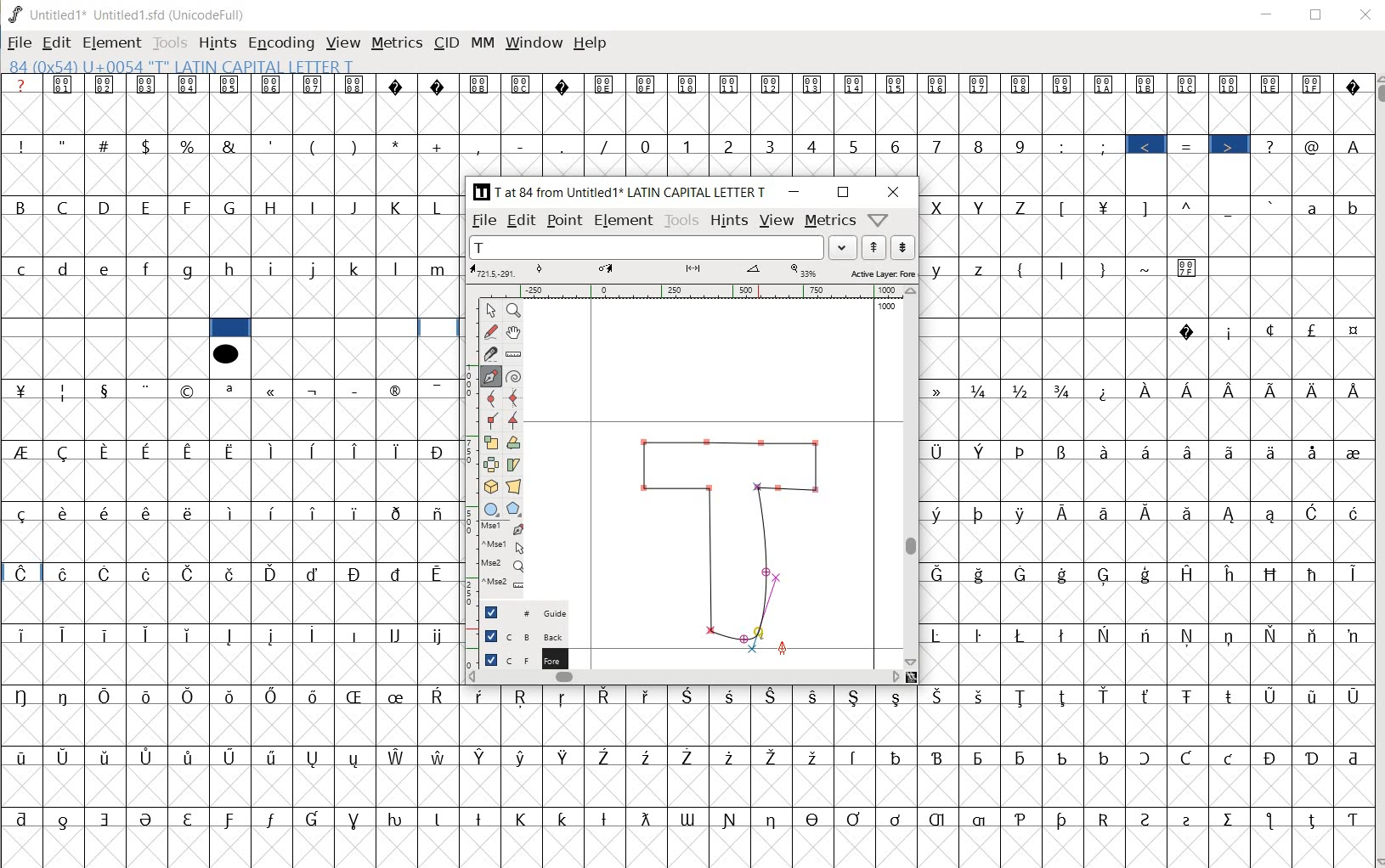 This screenshot has height=868, width=1385. Describe the element at coordinates (148, 269) in the screenshot. I see `f` at that location.